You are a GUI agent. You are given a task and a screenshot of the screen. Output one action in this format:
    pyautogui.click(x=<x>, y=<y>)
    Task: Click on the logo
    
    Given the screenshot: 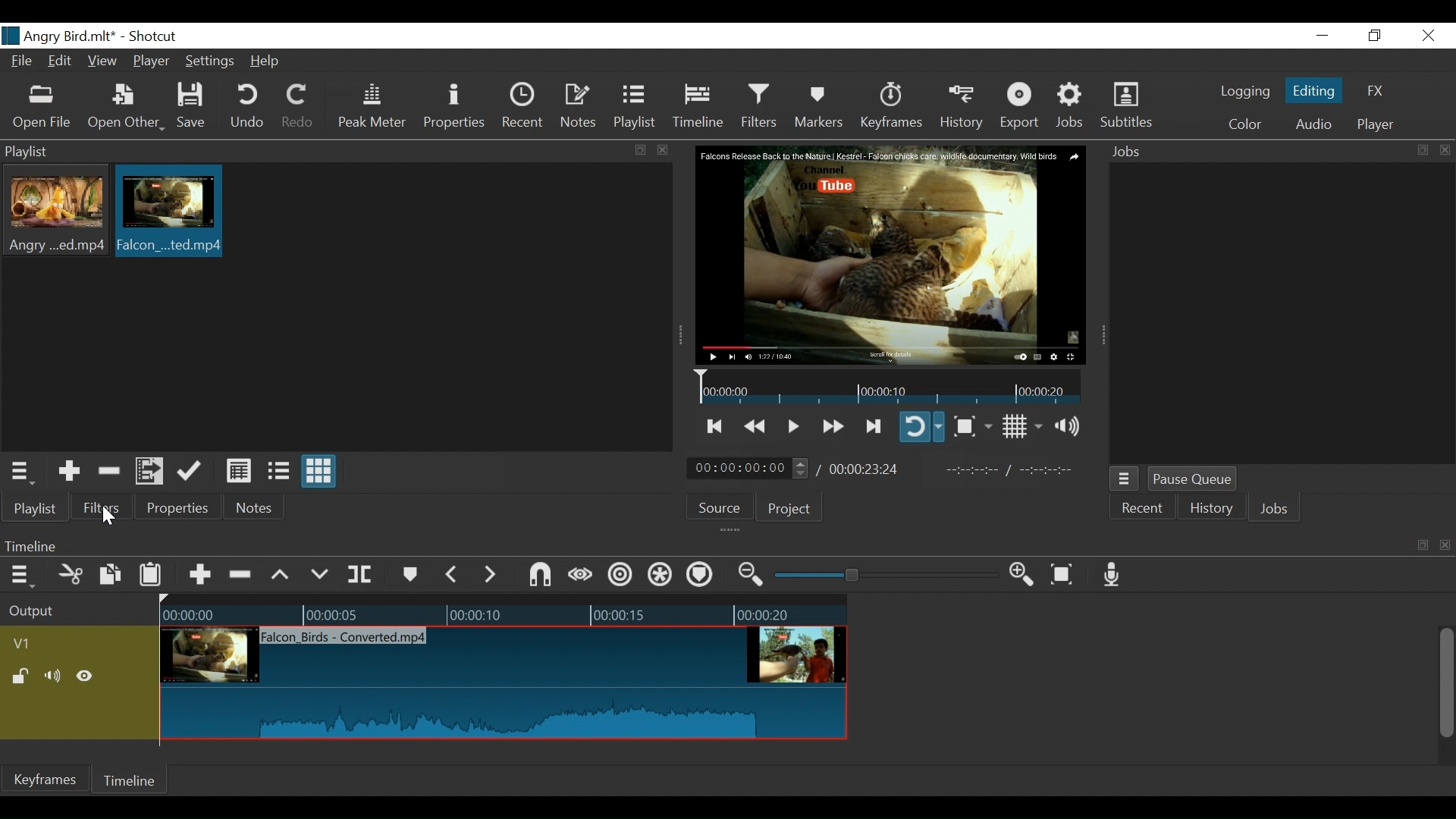 What is the action you would take?
    pyautogui.click(x=11, y=36)
    